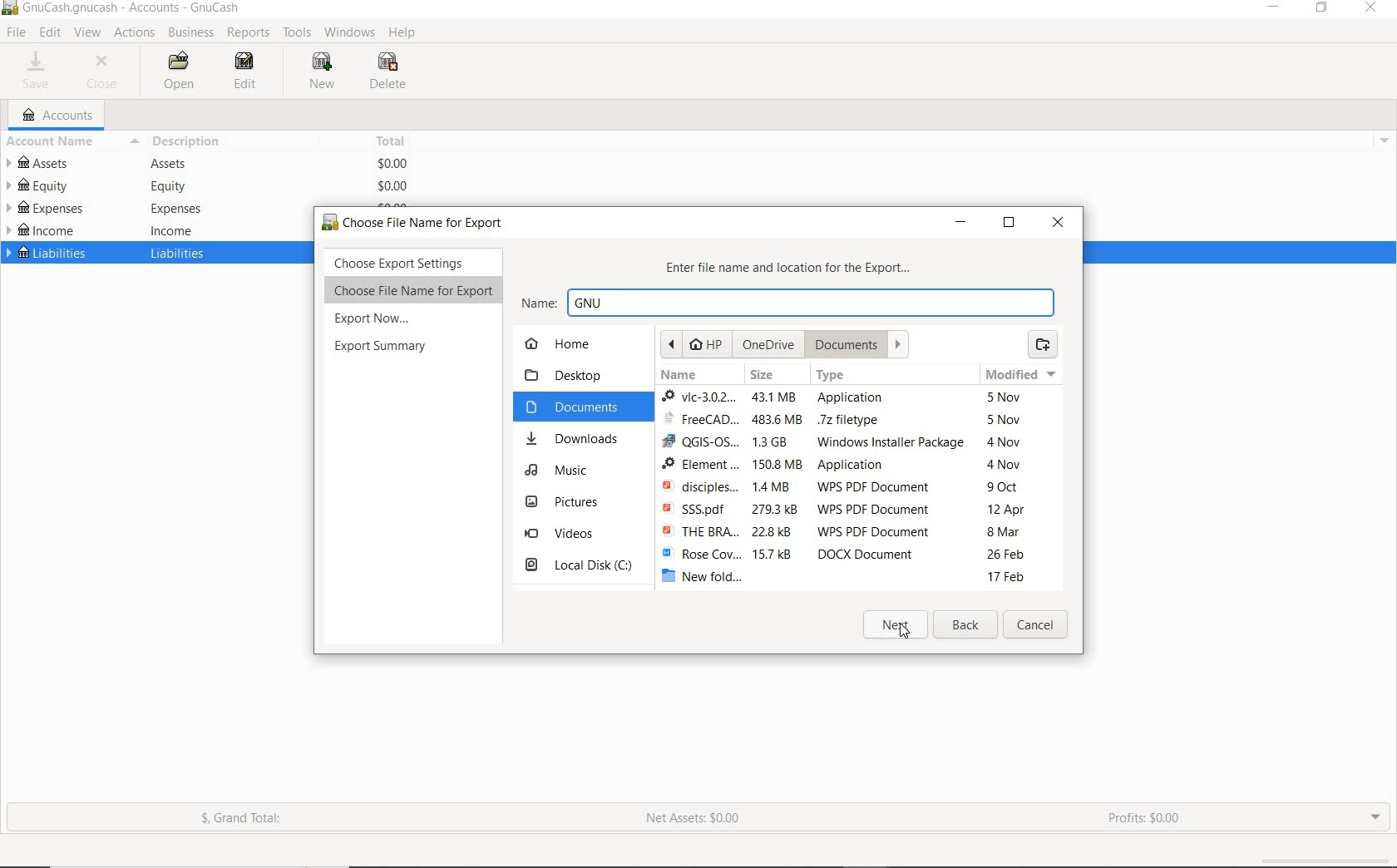  What do you see at coordinates (412, 264) in the screenshot?
I see `choose export settings` at bounding box center [412, 264].